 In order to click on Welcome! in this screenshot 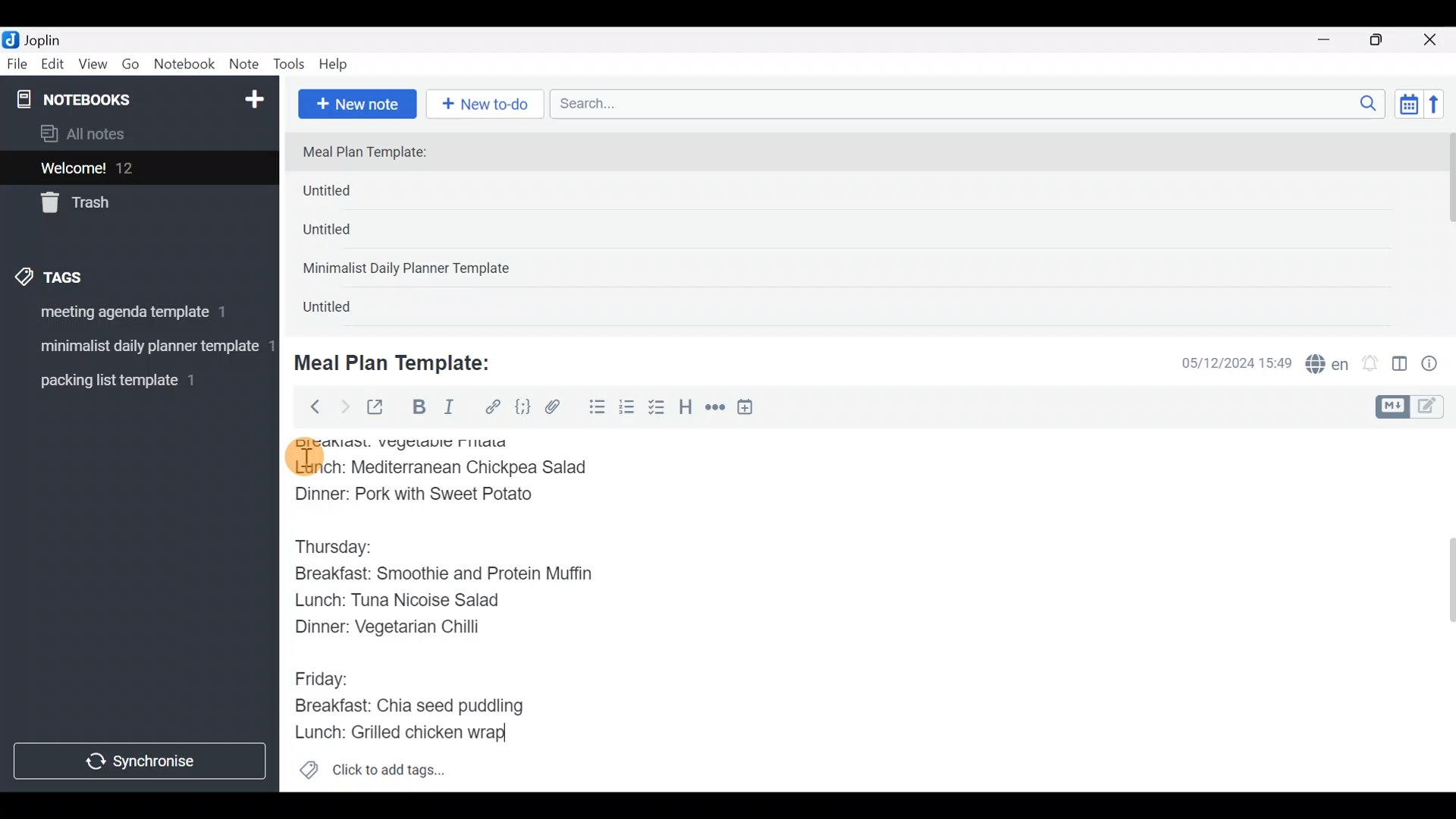, I will do `click(137, 169)`.